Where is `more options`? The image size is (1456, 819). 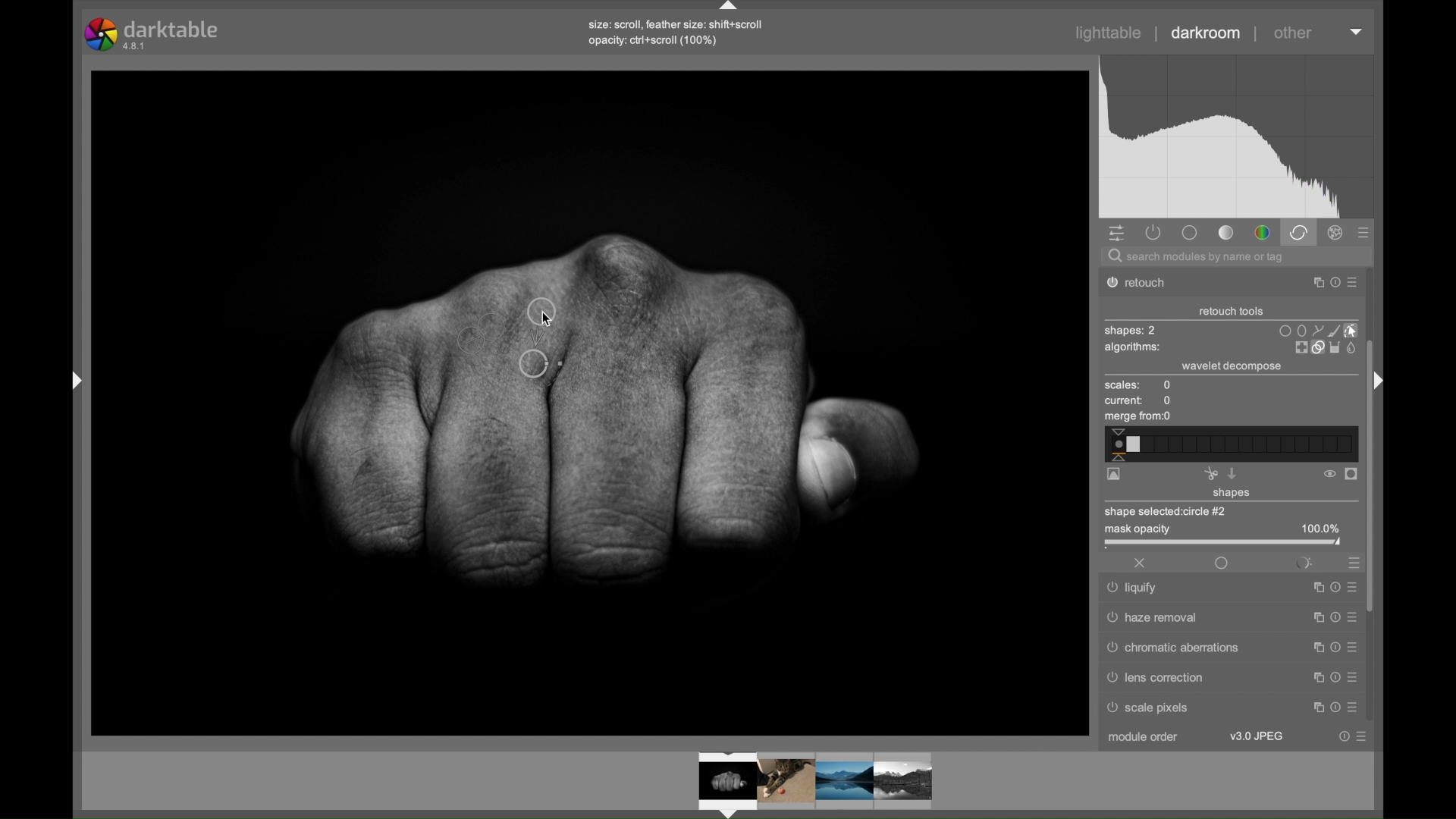 more options is located at coordinates (1353, 284).